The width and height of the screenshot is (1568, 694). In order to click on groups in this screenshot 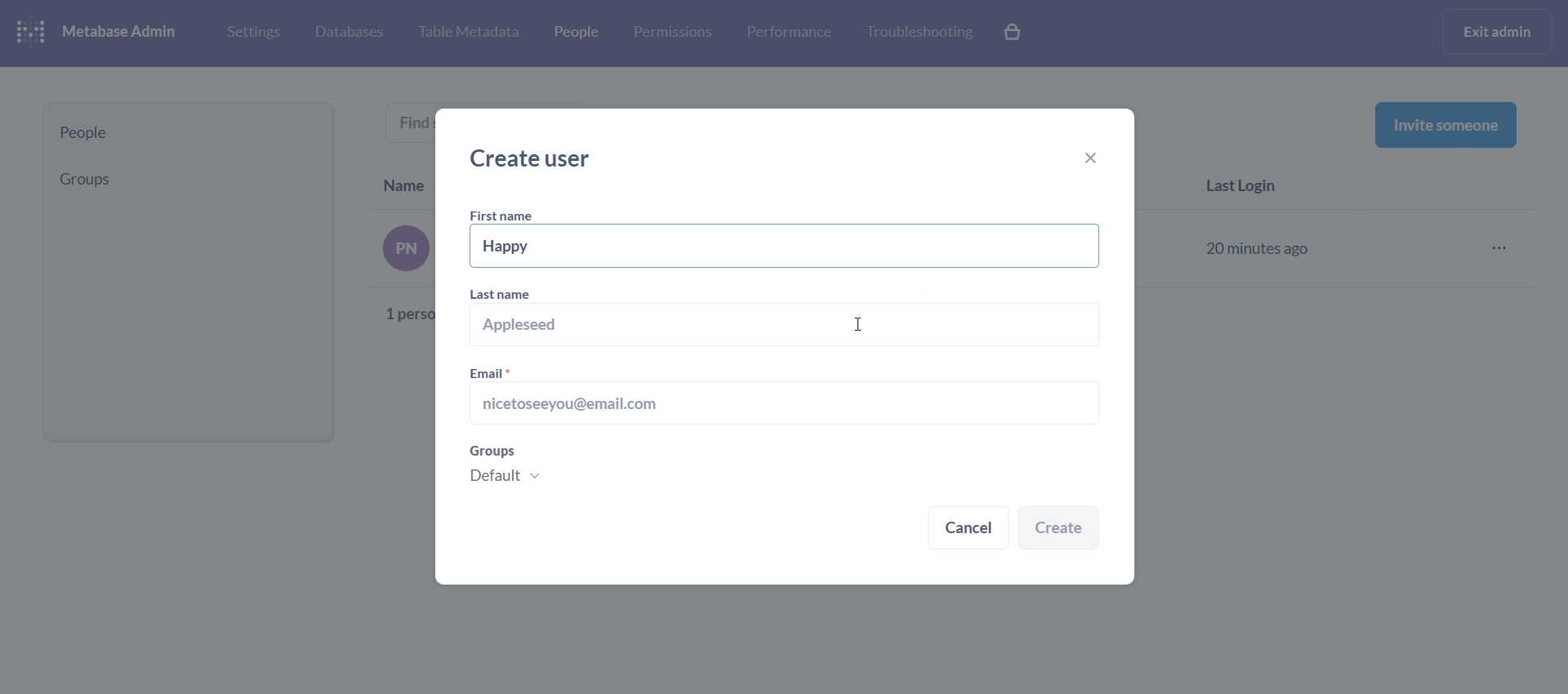, I will do `click(182, 179)`.